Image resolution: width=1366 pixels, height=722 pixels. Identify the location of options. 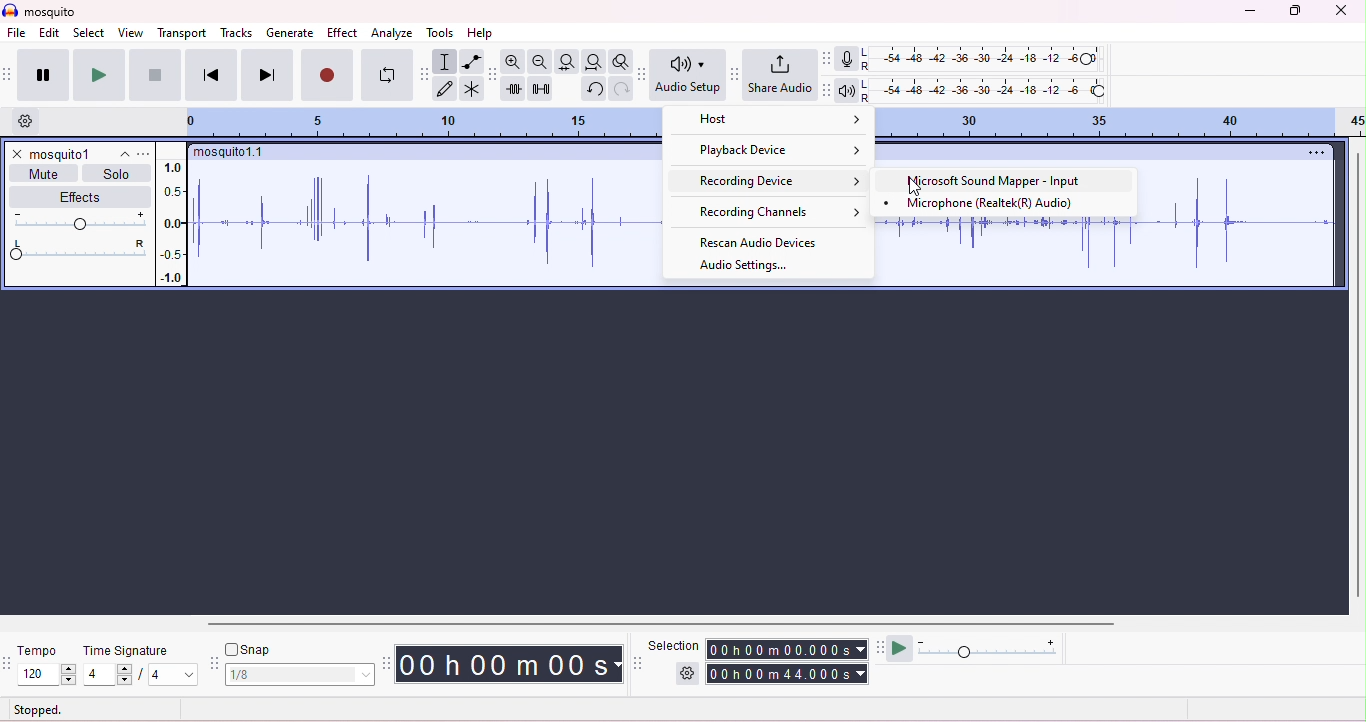
(144, 154).